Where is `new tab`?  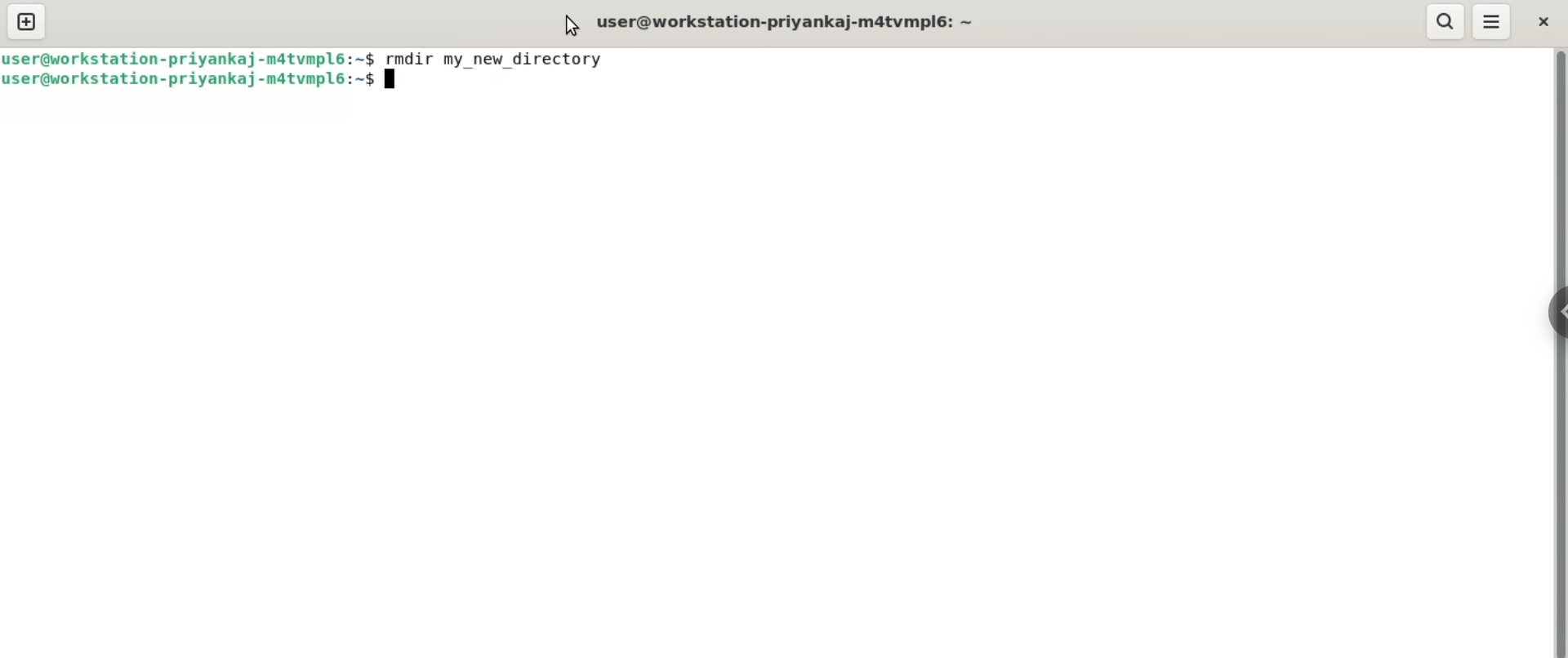
new tab is located at coordinates (29, 21).